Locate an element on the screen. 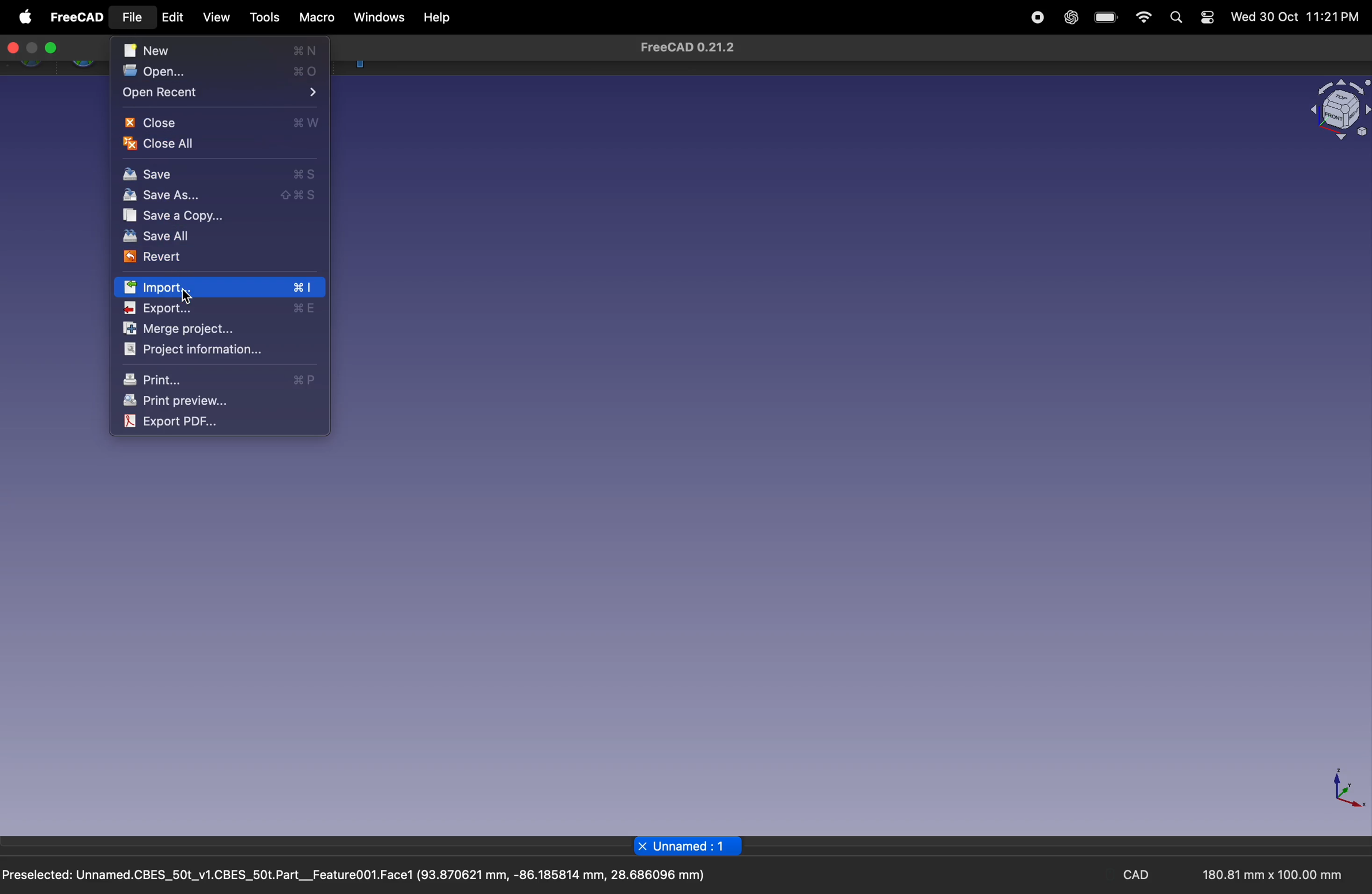 Image resolution: width=1372 pixels, height=894 pixels. cursor is located at coordinates (122, 25).